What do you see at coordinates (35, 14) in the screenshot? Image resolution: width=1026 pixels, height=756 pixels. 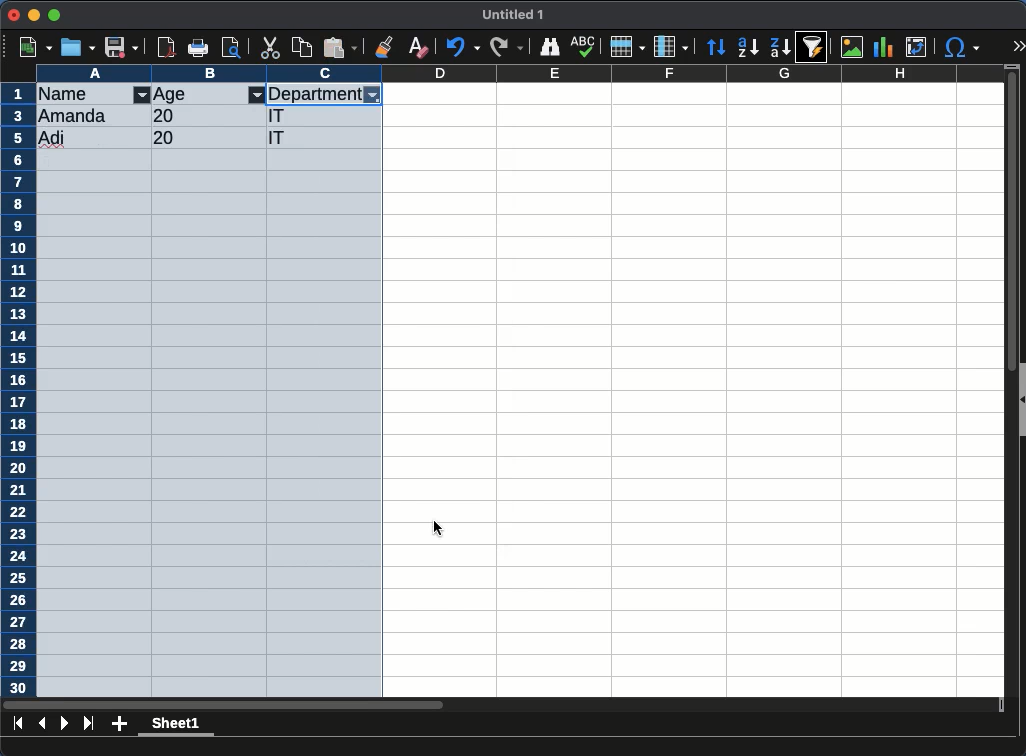 I see `minimize` at bounding box center [35, 14].